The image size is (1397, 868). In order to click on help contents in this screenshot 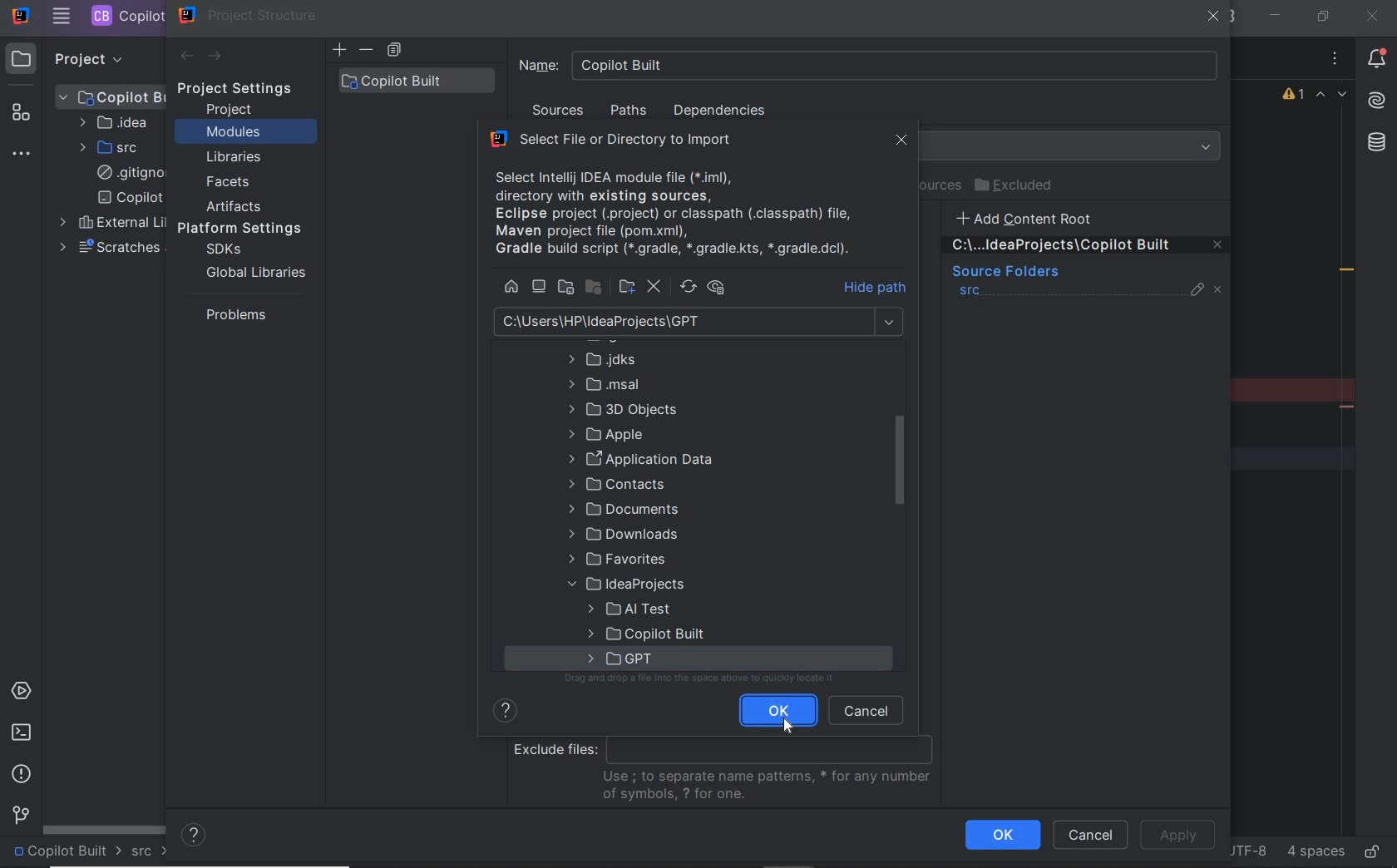, I will do `click(195, 836)`.